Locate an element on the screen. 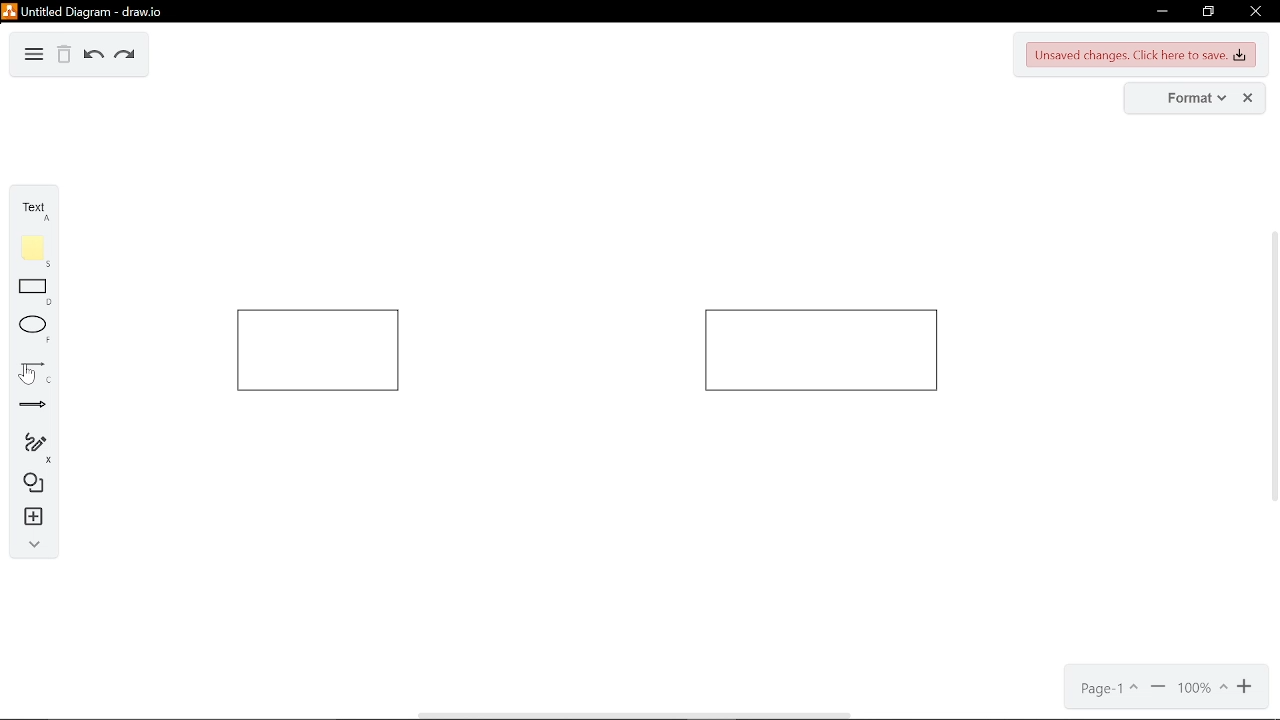  text is located at coordinates (28, 208).